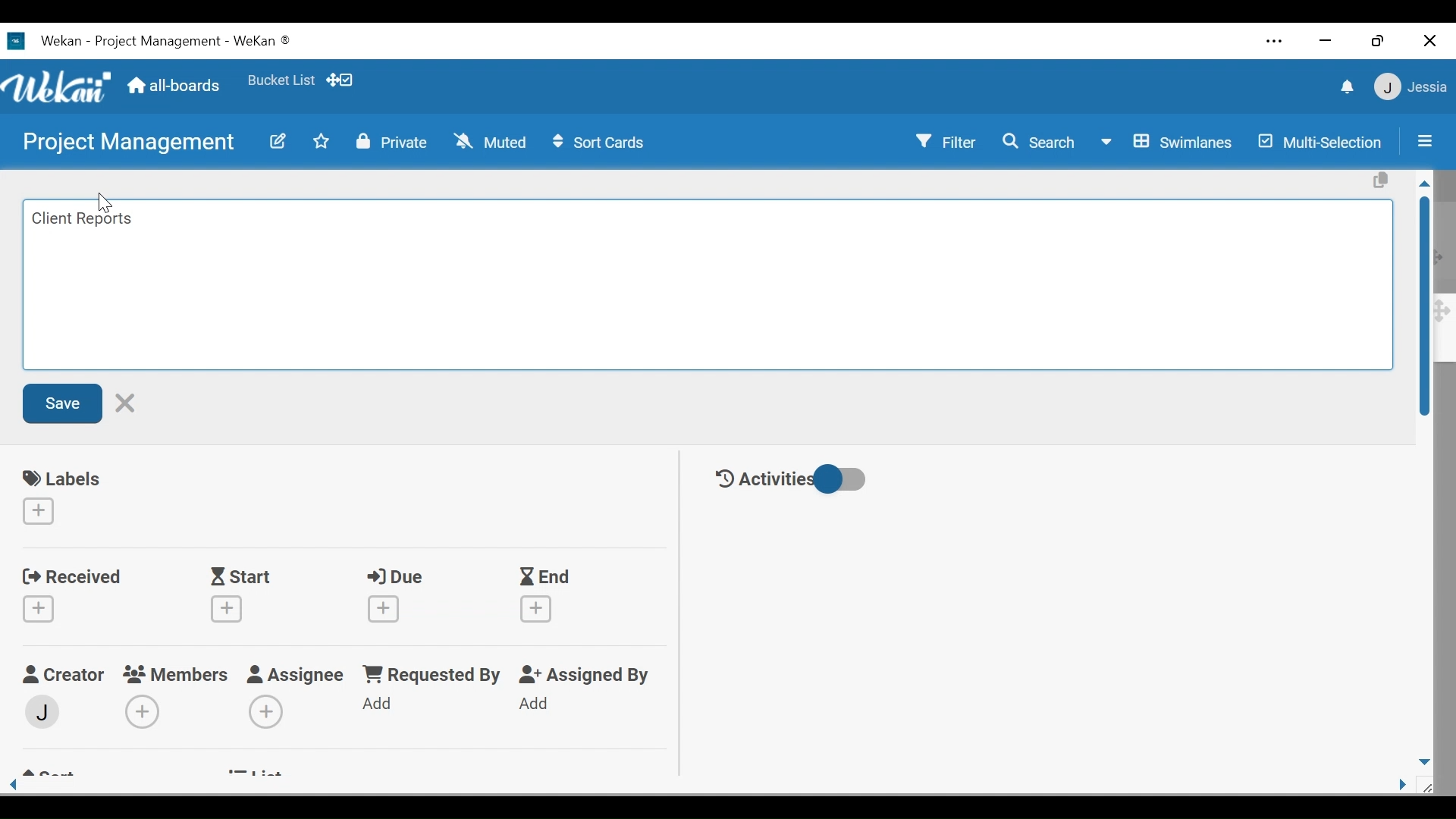 This screenshot has width=1456, height=819. I want to click on Search, so click(1039, 142).